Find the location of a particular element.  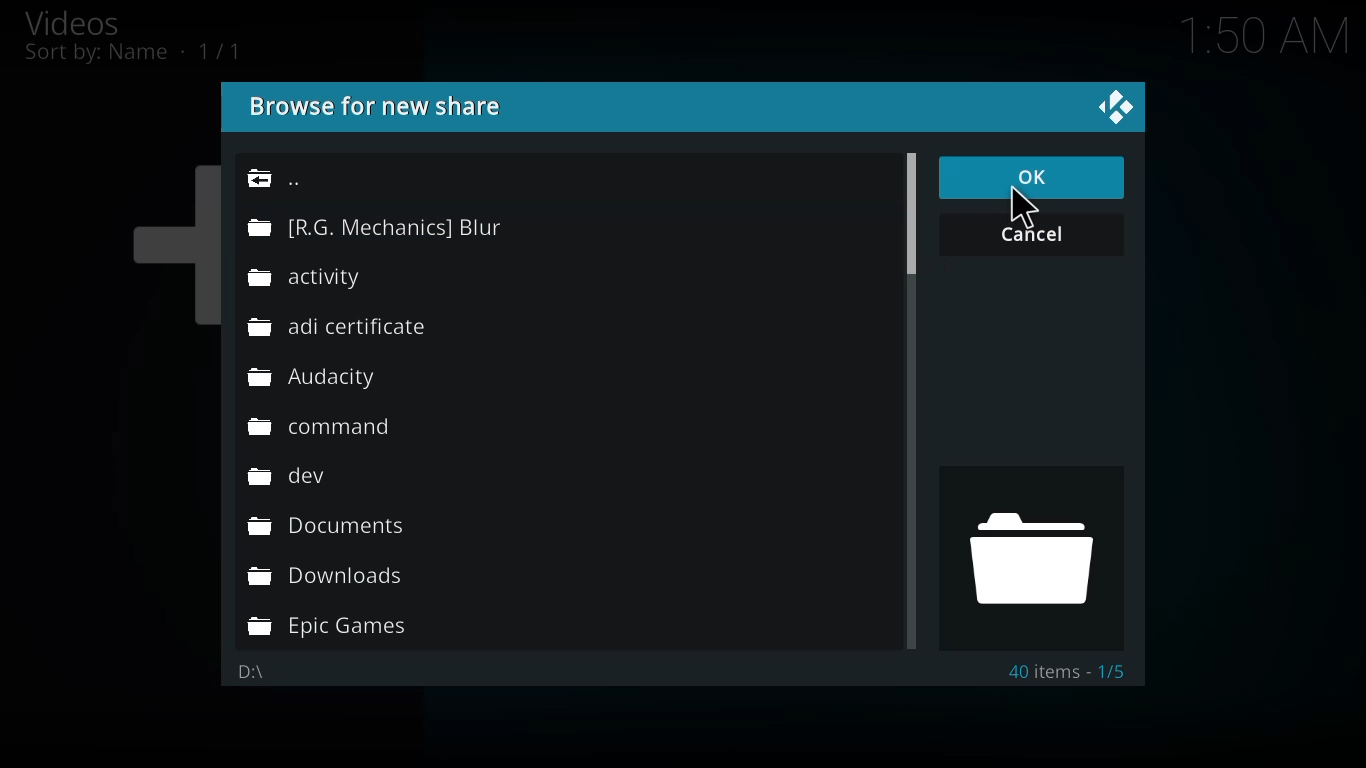

close is located at coordinates (1114, 108).